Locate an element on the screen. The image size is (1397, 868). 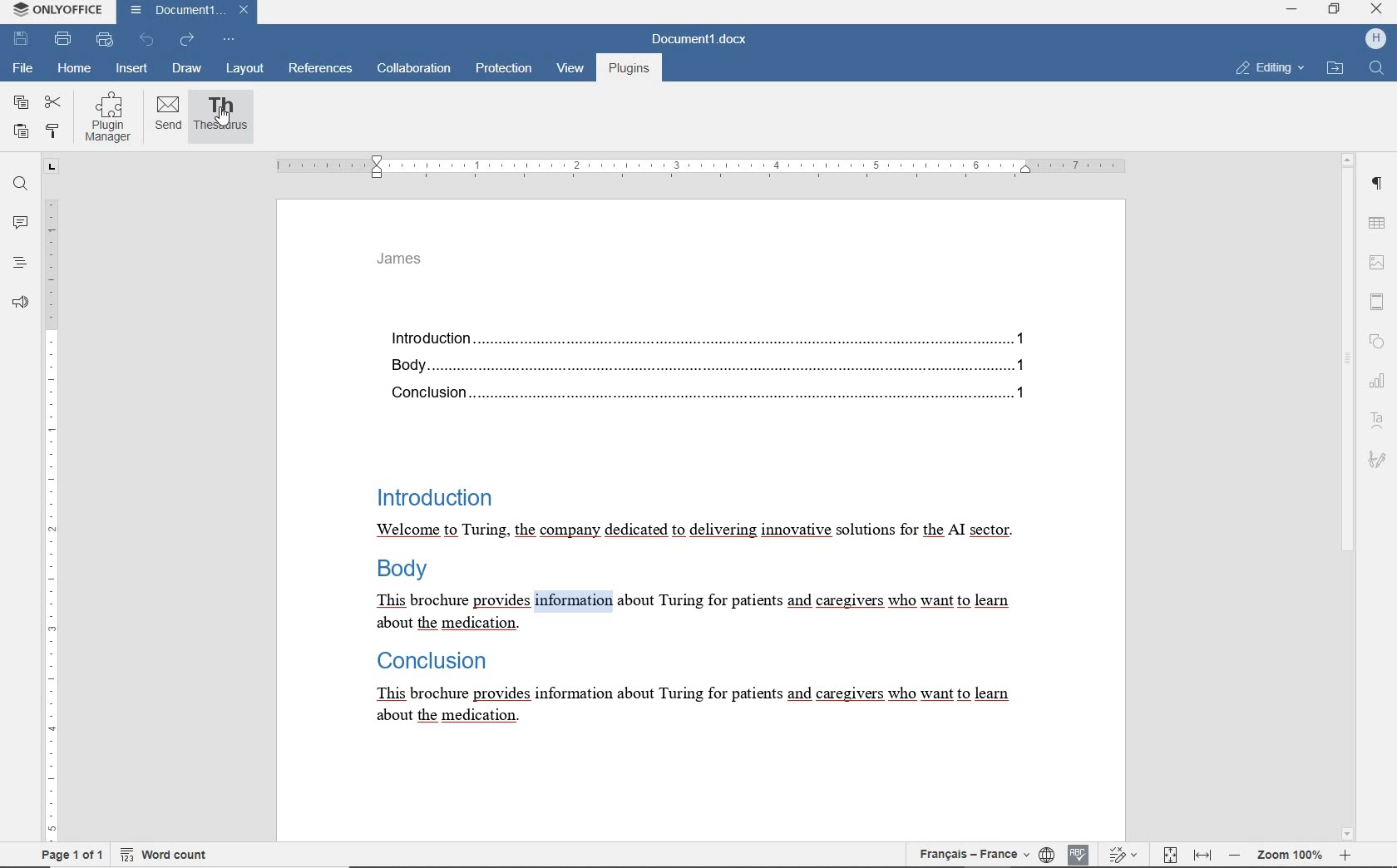
COPY is located at coordinates (21, 102).